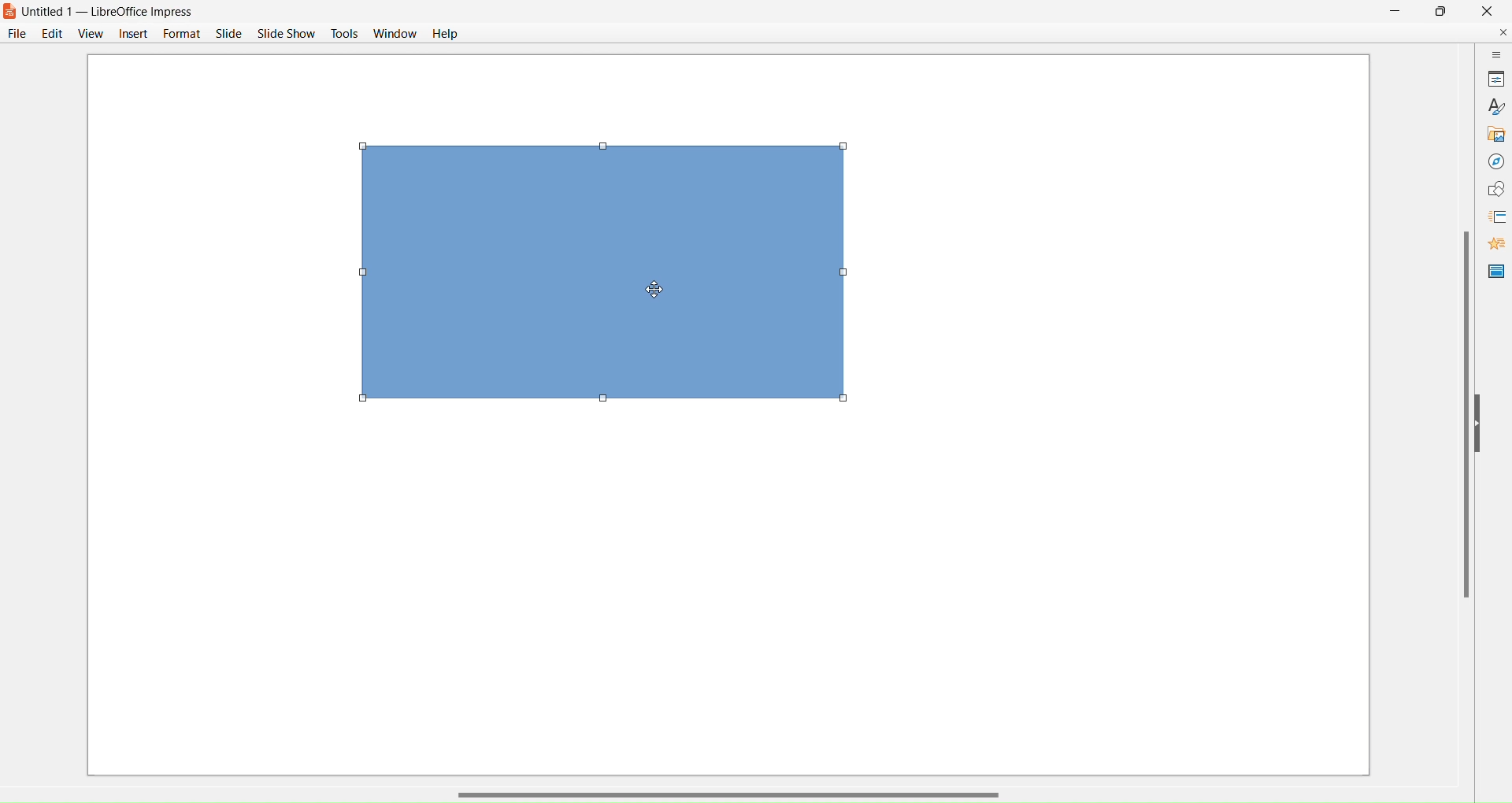 The image size is (1512, 803). Describe the element at coordinates (54, 33) in the screenshot. I see `Edit` at that location.